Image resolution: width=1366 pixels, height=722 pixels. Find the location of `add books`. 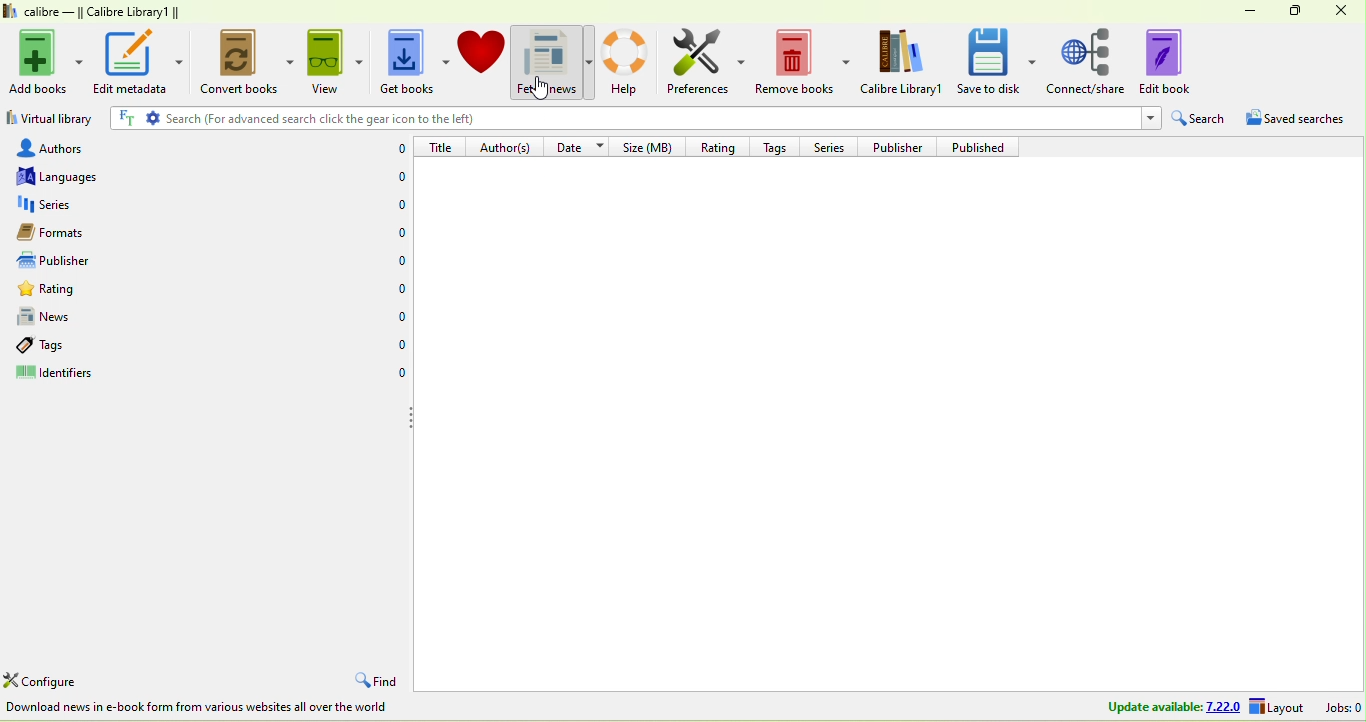

add books is located at coordinates (38, 63).